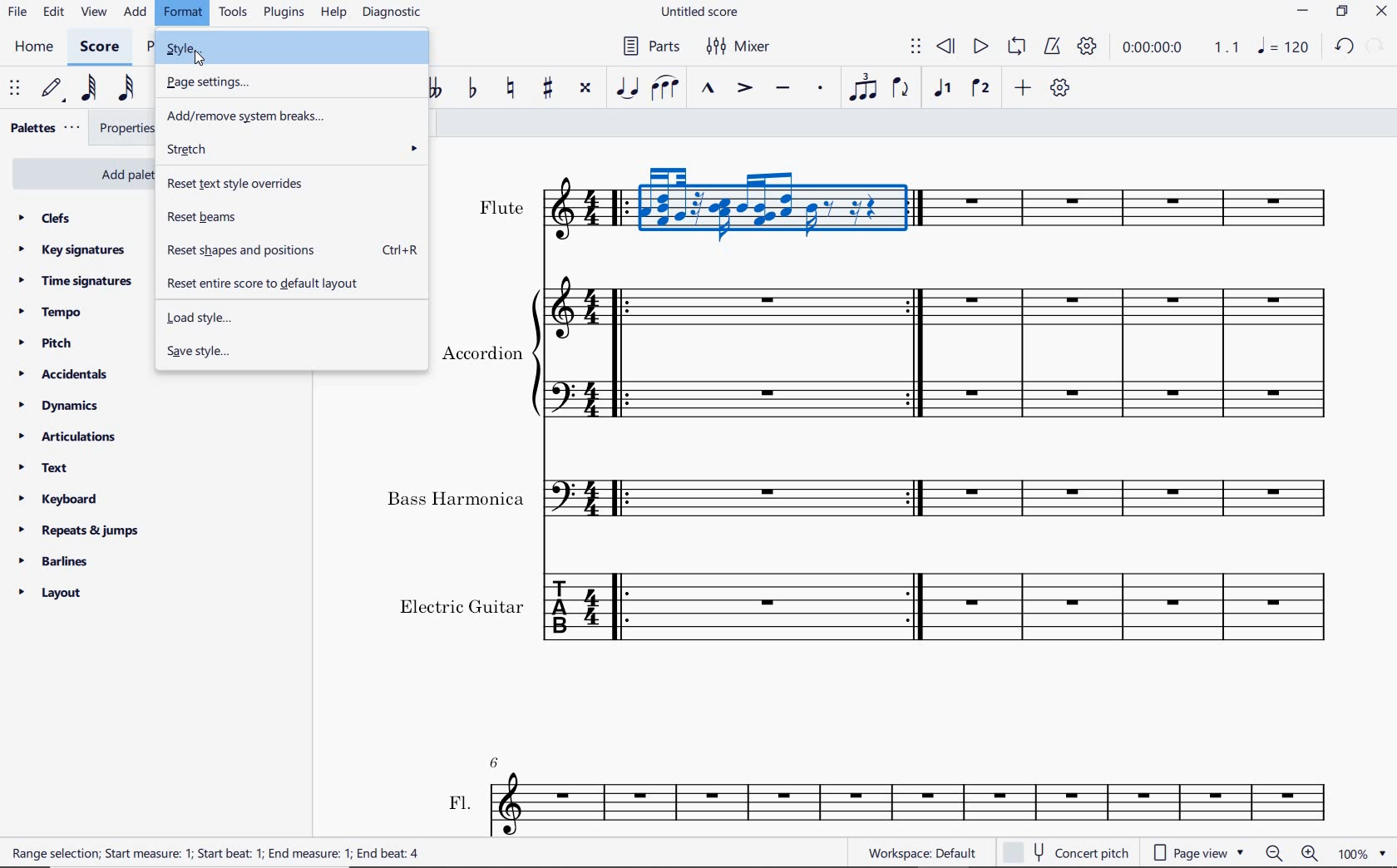 Image resolution: width=1397 pixels, height=868 pixels. What do you see at coordinates (126, 129) in the screenshot?
I see `properties` at bounding box center [126, 129].